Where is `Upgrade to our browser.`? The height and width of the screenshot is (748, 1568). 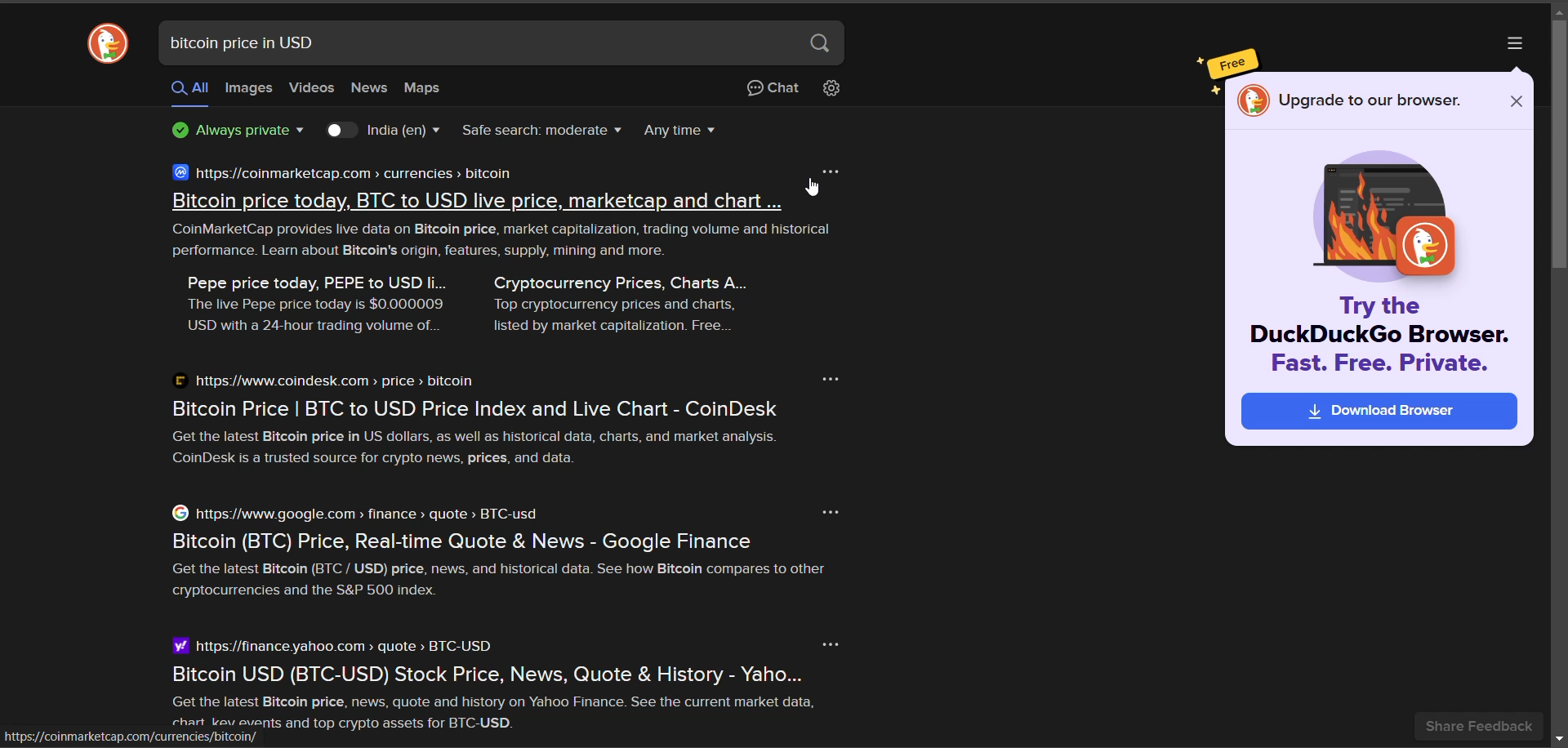 Upgrade to our browser. is located at coordinates (1345, 101).